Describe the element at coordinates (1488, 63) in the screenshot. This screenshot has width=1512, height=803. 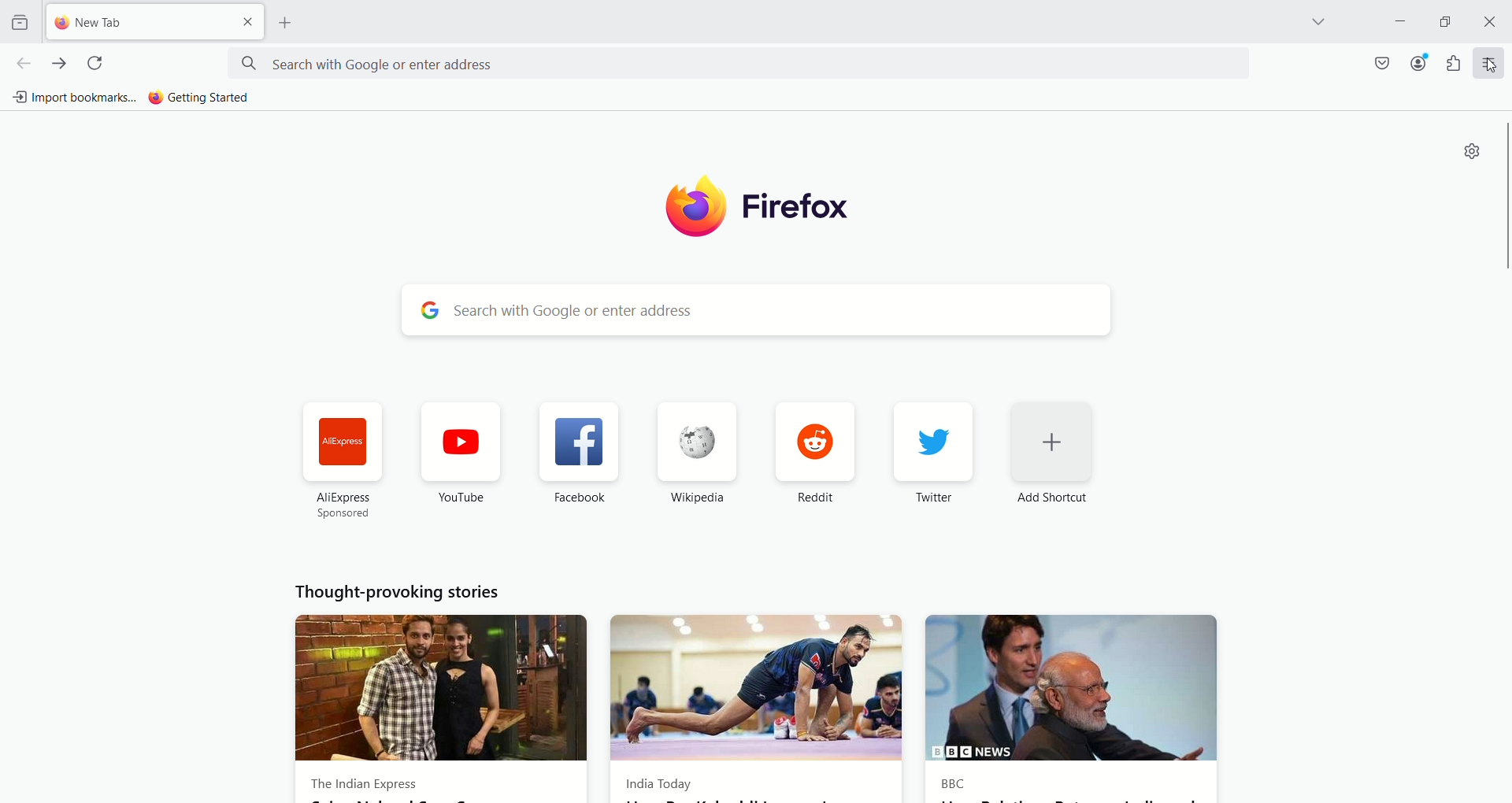
I see `open application menu` at that location.